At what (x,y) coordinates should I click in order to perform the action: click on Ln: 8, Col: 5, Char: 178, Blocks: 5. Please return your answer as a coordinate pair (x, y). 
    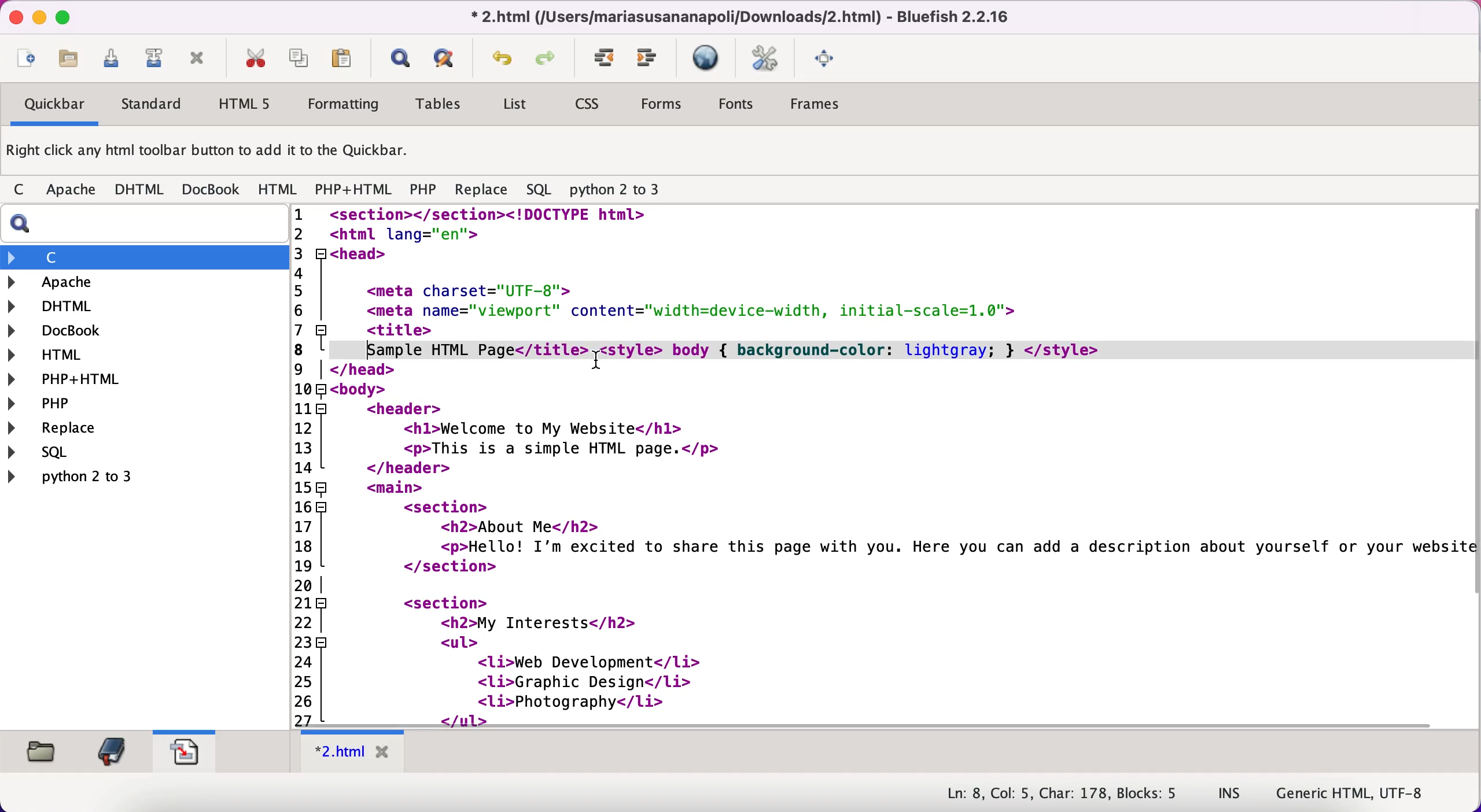
    Looking at the image, I should click on (1063, 794).